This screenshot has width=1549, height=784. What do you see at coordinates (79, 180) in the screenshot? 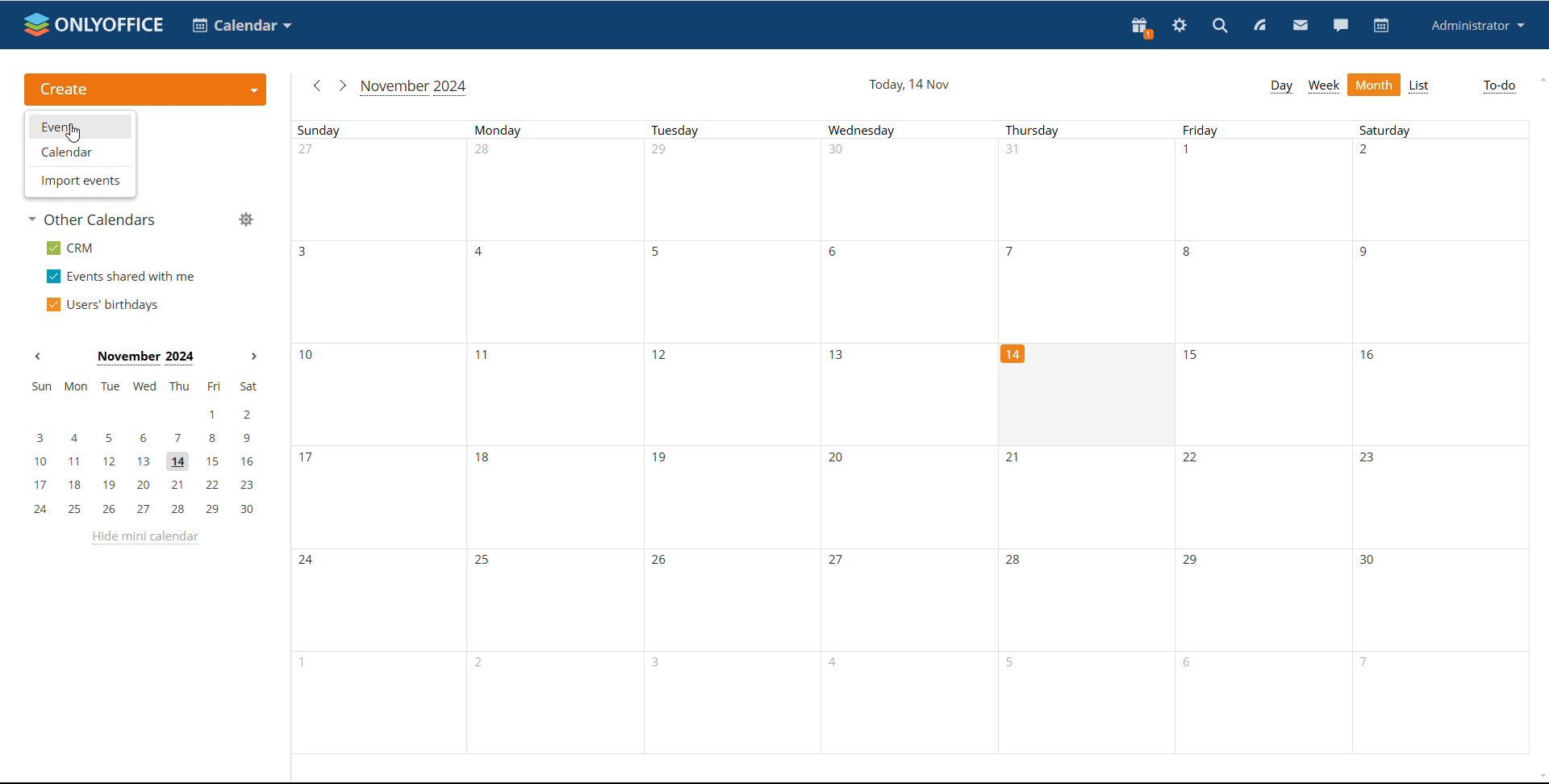
I see `import events` at bounding box center [79, 180].